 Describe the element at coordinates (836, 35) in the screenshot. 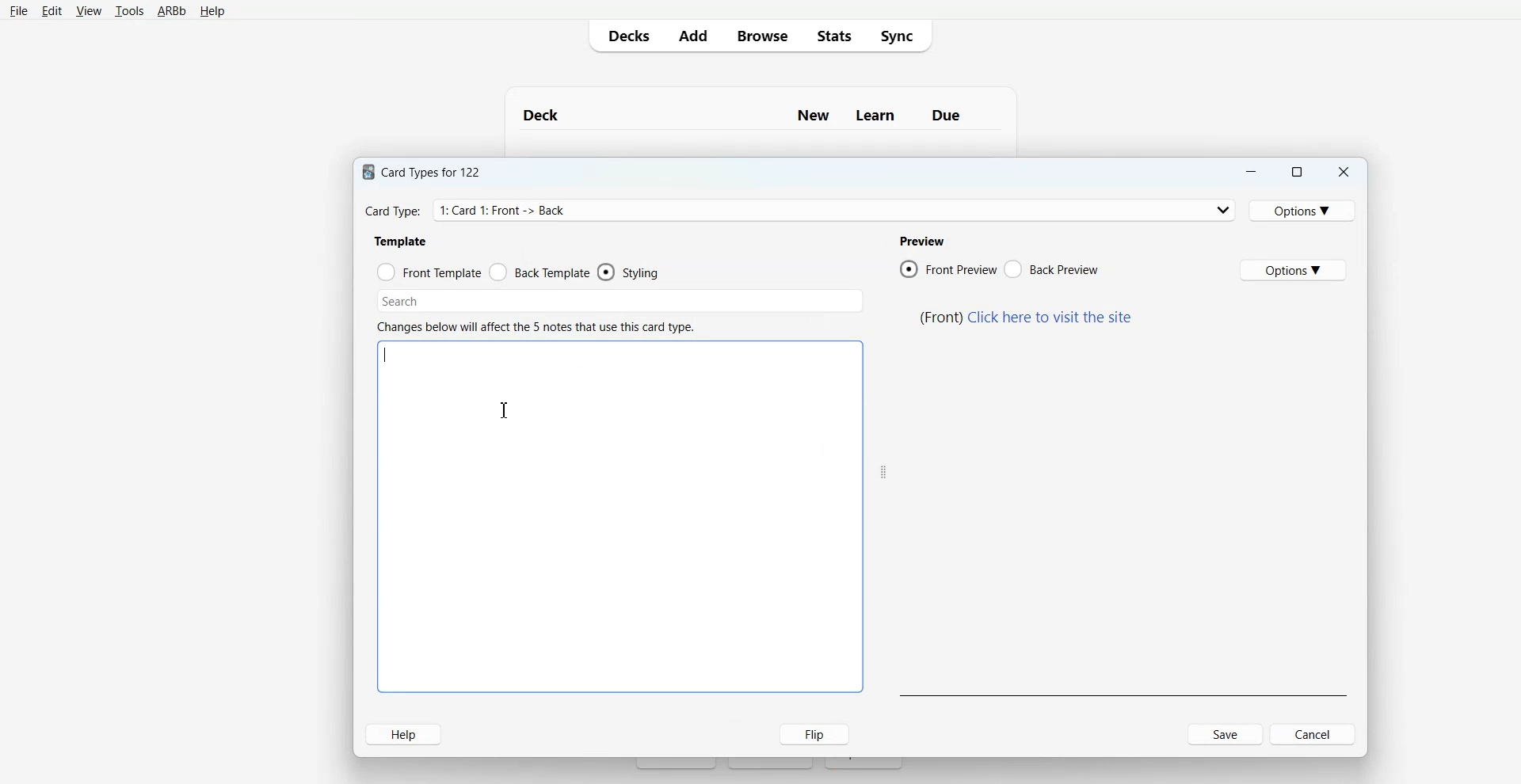

I see `Stats` at that location.